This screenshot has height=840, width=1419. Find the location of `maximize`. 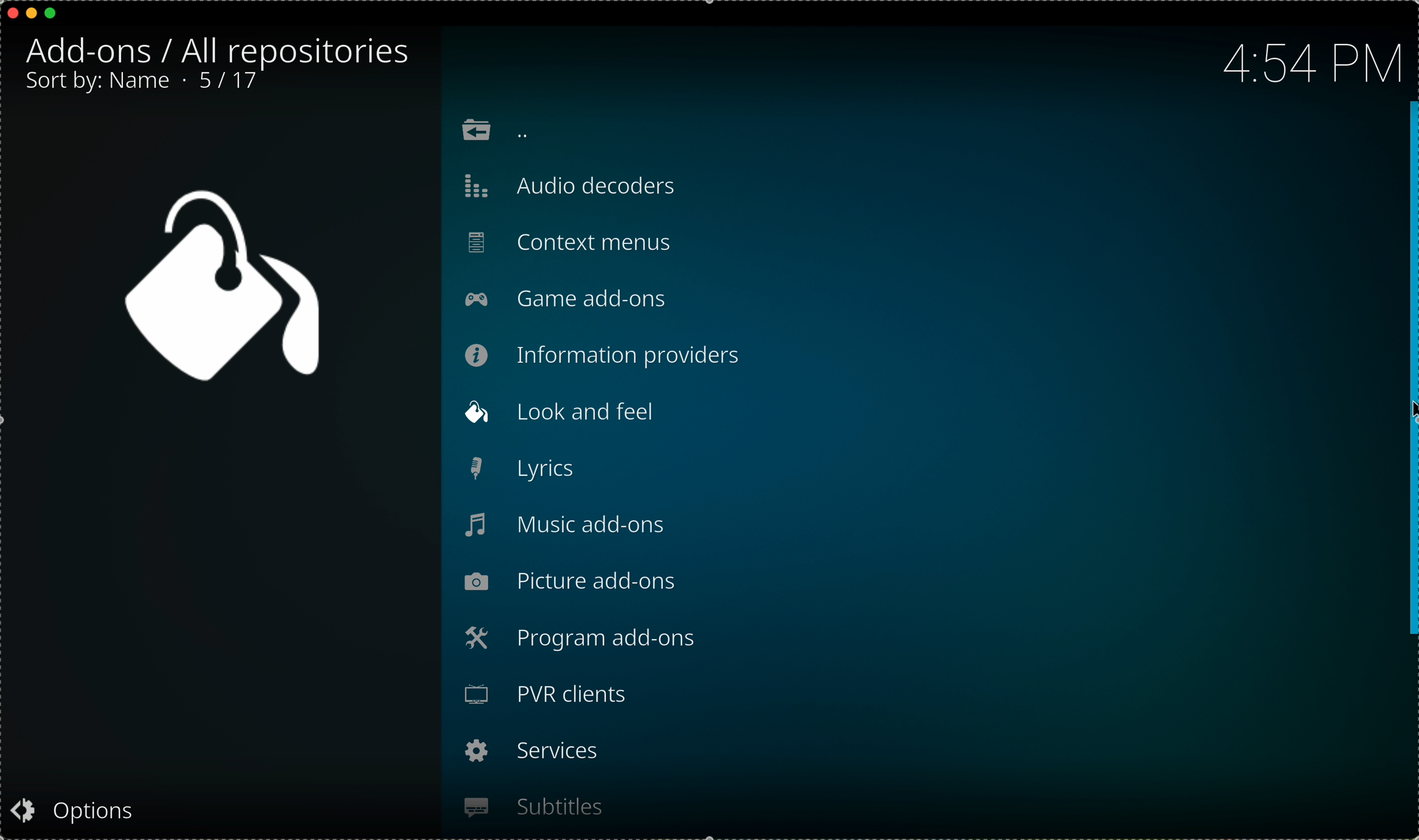

maximize is located at coordinates (52, 13).